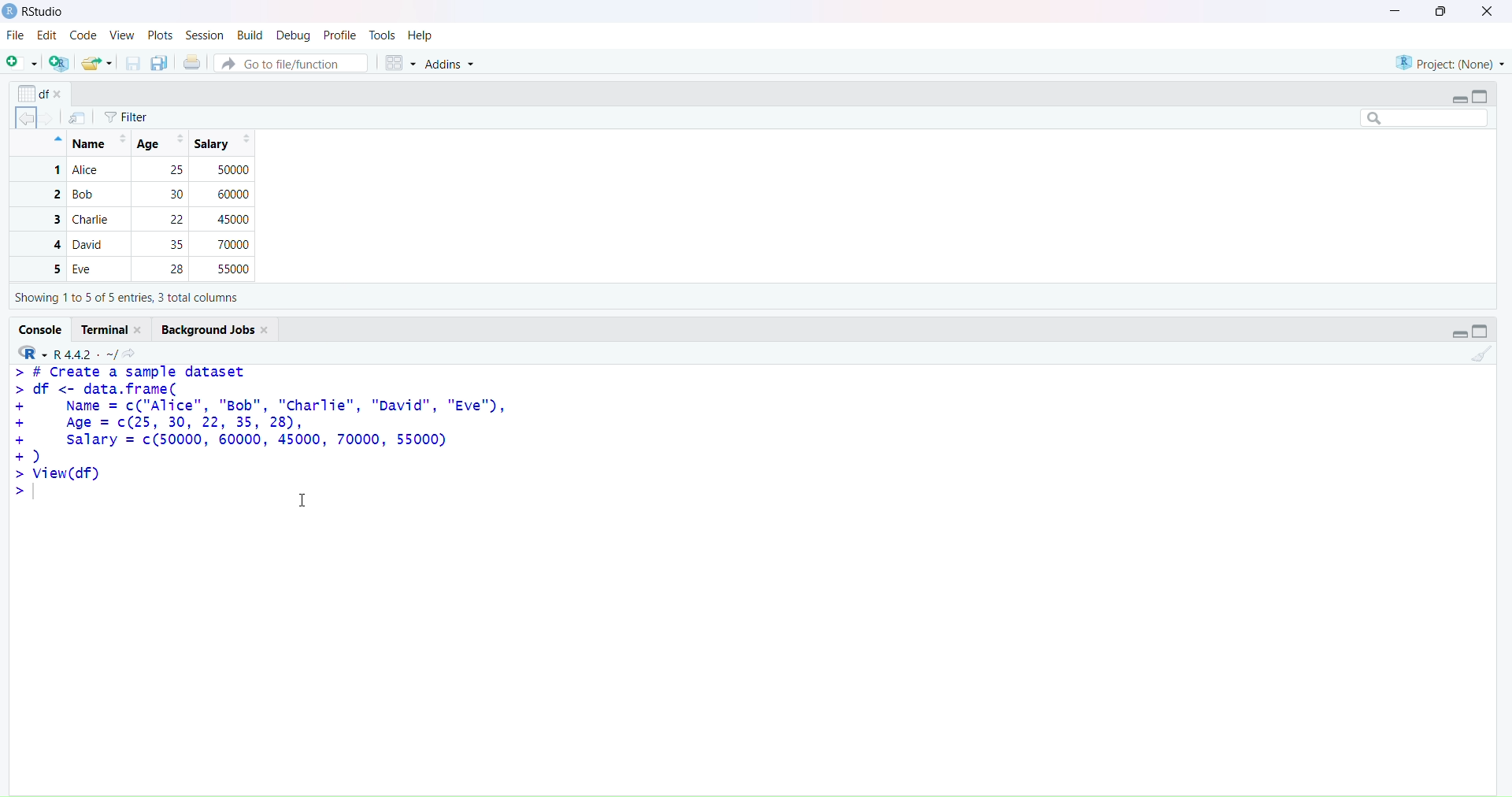  What do you see at coordinates (1449, 61) in the screenshot?
I see `project(None)` at bounding box center [1449, 61].